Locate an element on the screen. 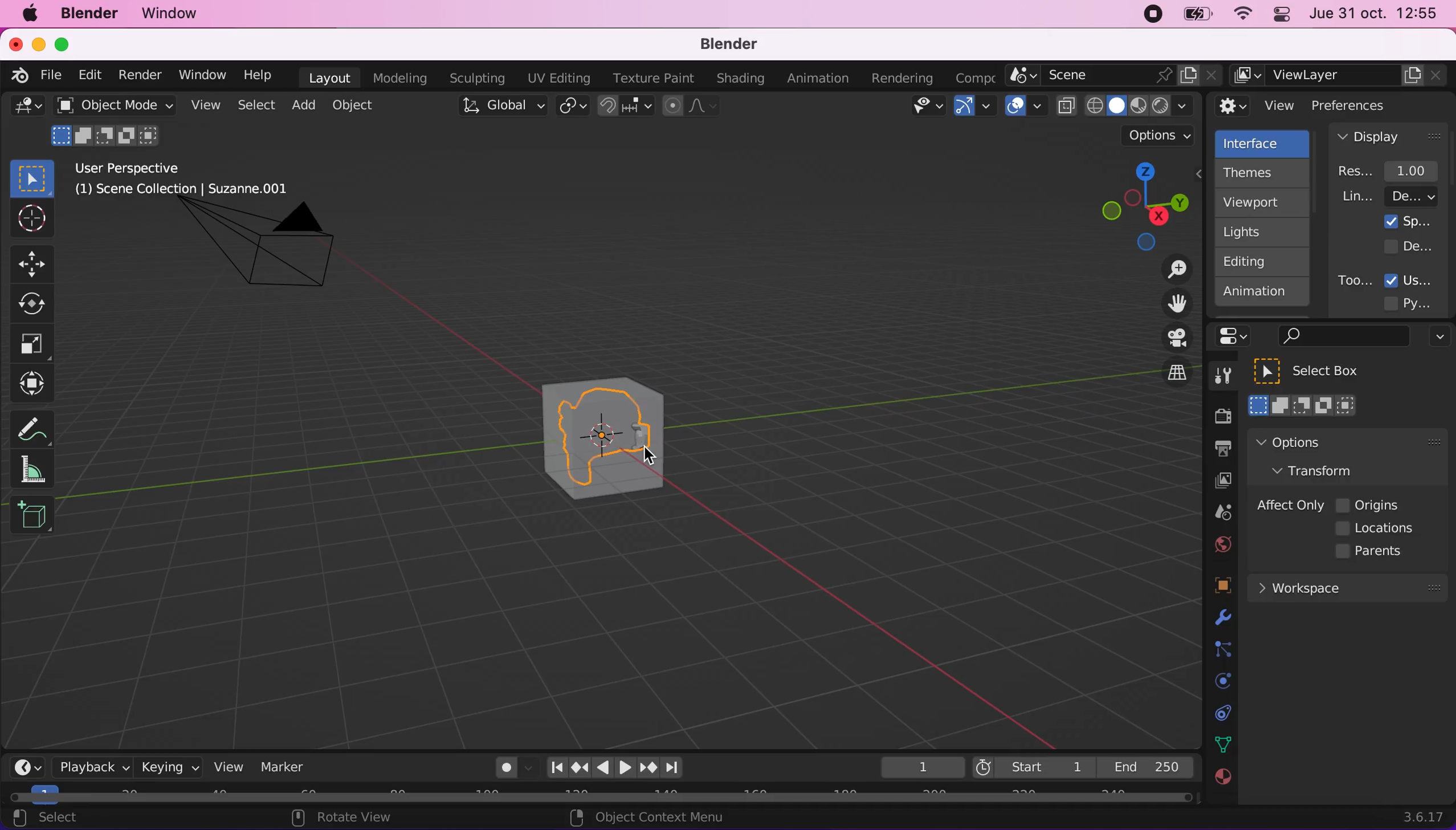 The image size is (1456, 830). transform pivot point is located at coordinates (574, 107).